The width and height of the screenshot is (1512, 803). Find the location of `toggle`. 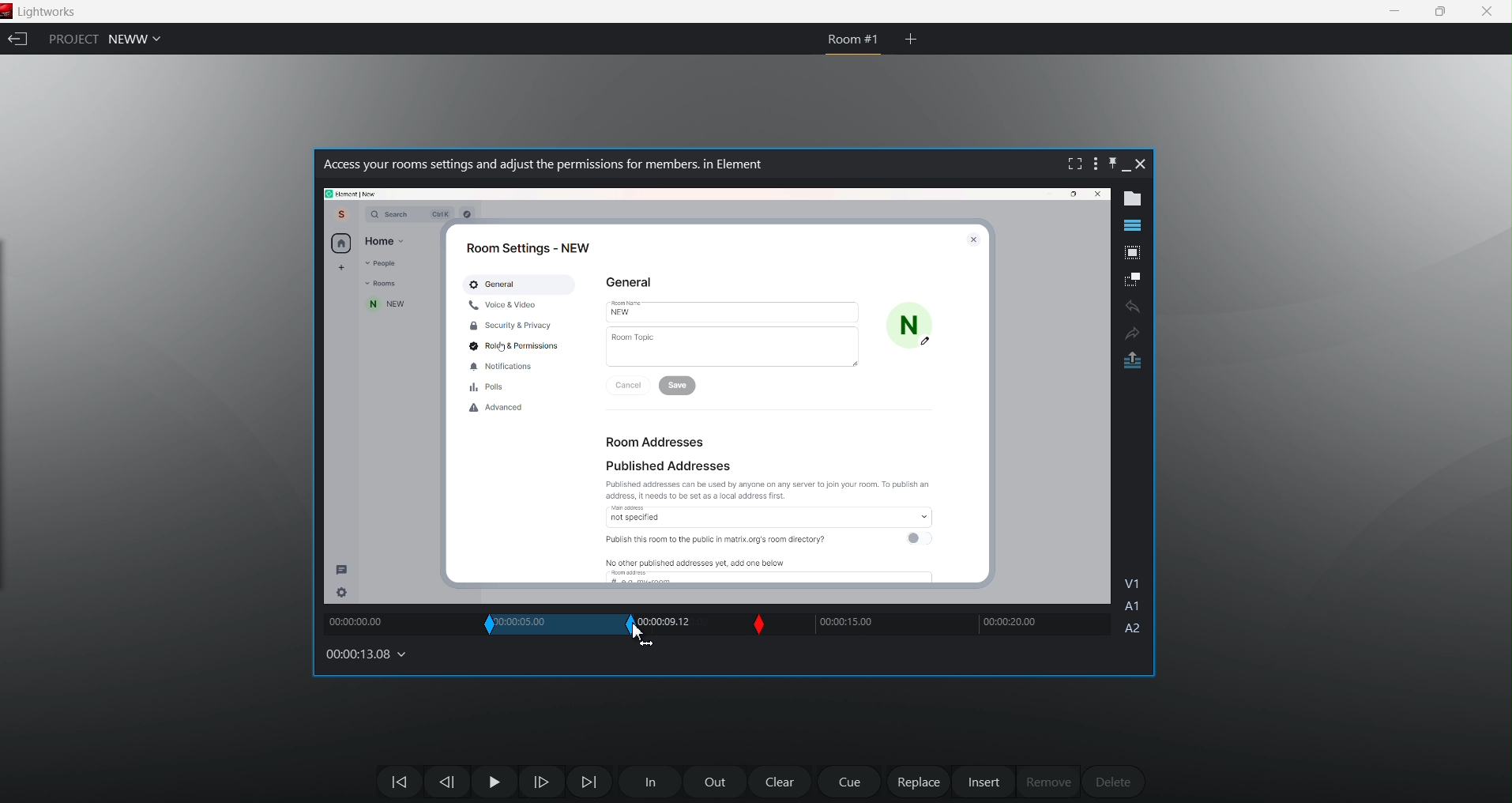

toggle is located at coordinates (920, 537).